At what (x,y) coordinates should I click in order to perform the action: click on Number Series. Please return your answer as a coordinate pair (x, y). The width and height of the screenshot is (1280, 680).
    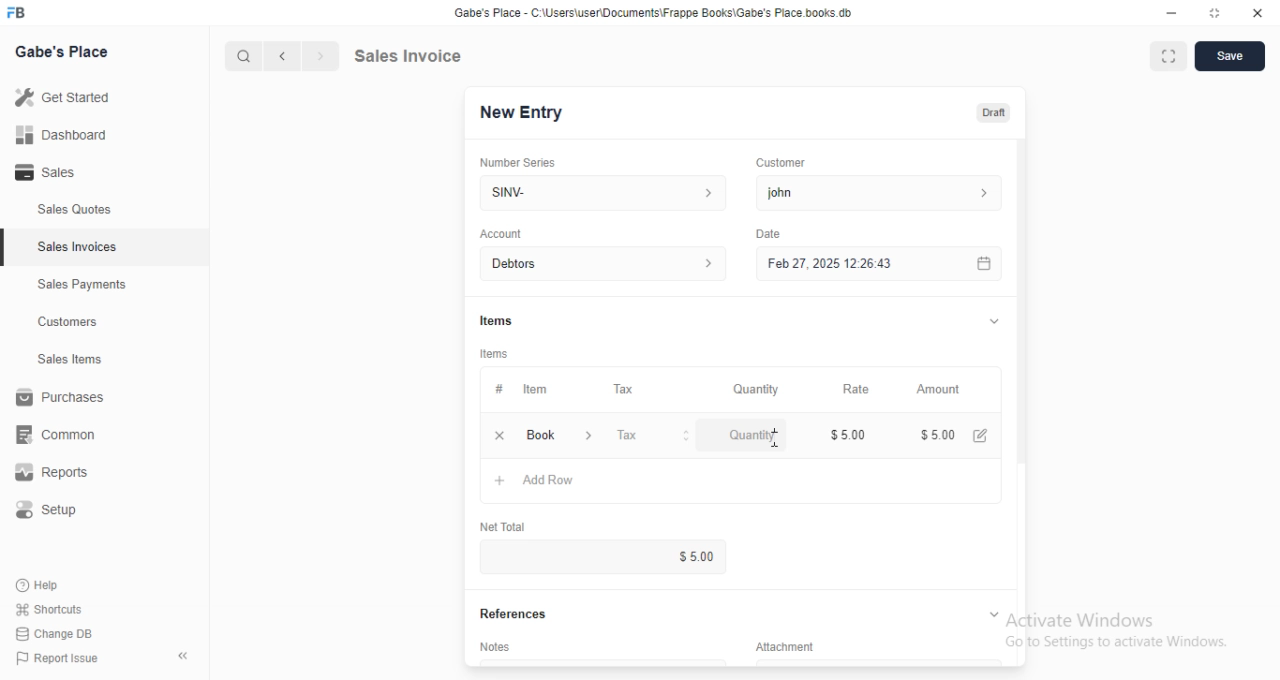
    Looking at the image, I should click on (525, 160).